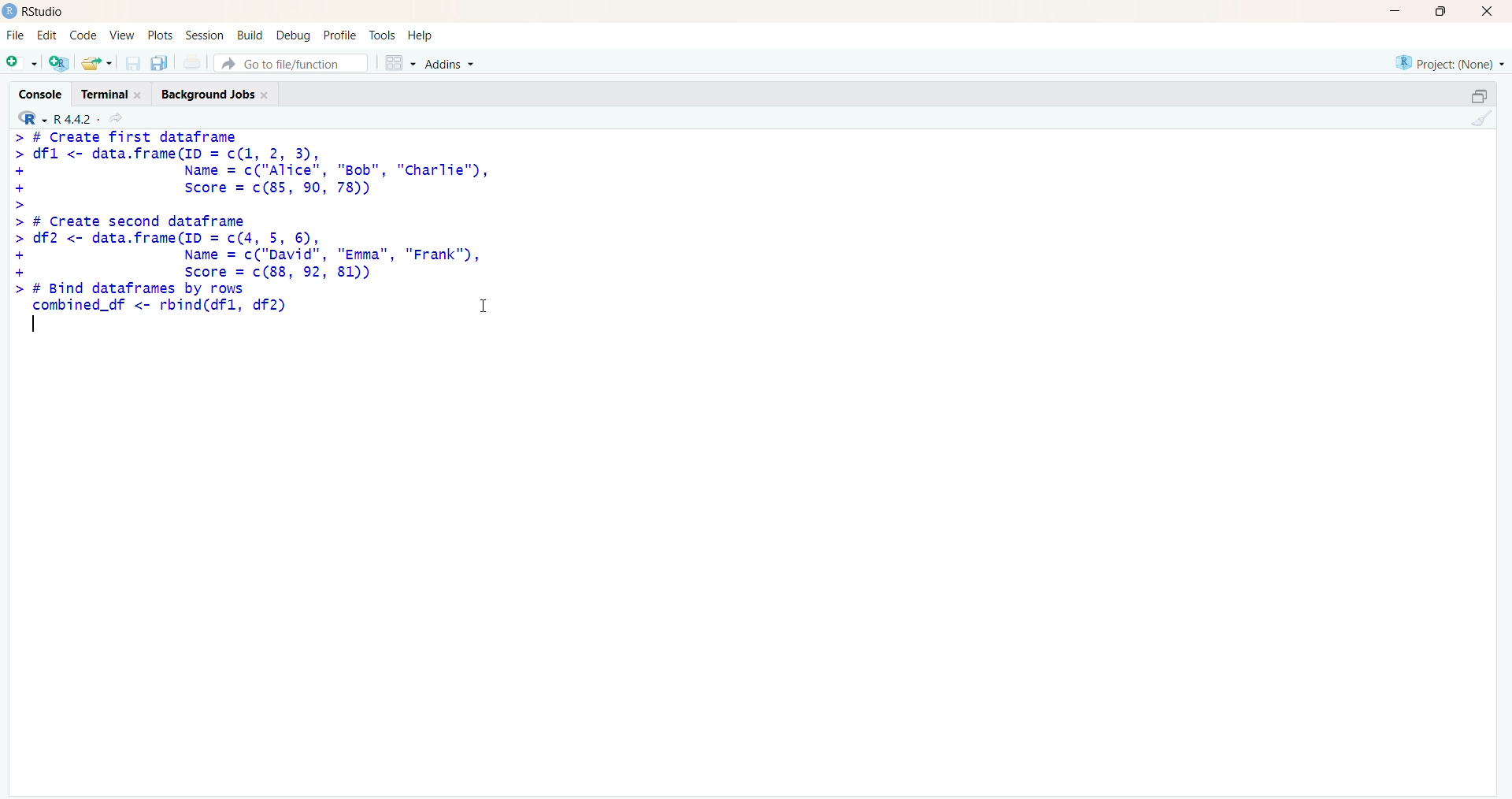  What do you see at coordinates (449, 64) in the screenshot?
I see `Addins ` at bounding box center [449, 64].